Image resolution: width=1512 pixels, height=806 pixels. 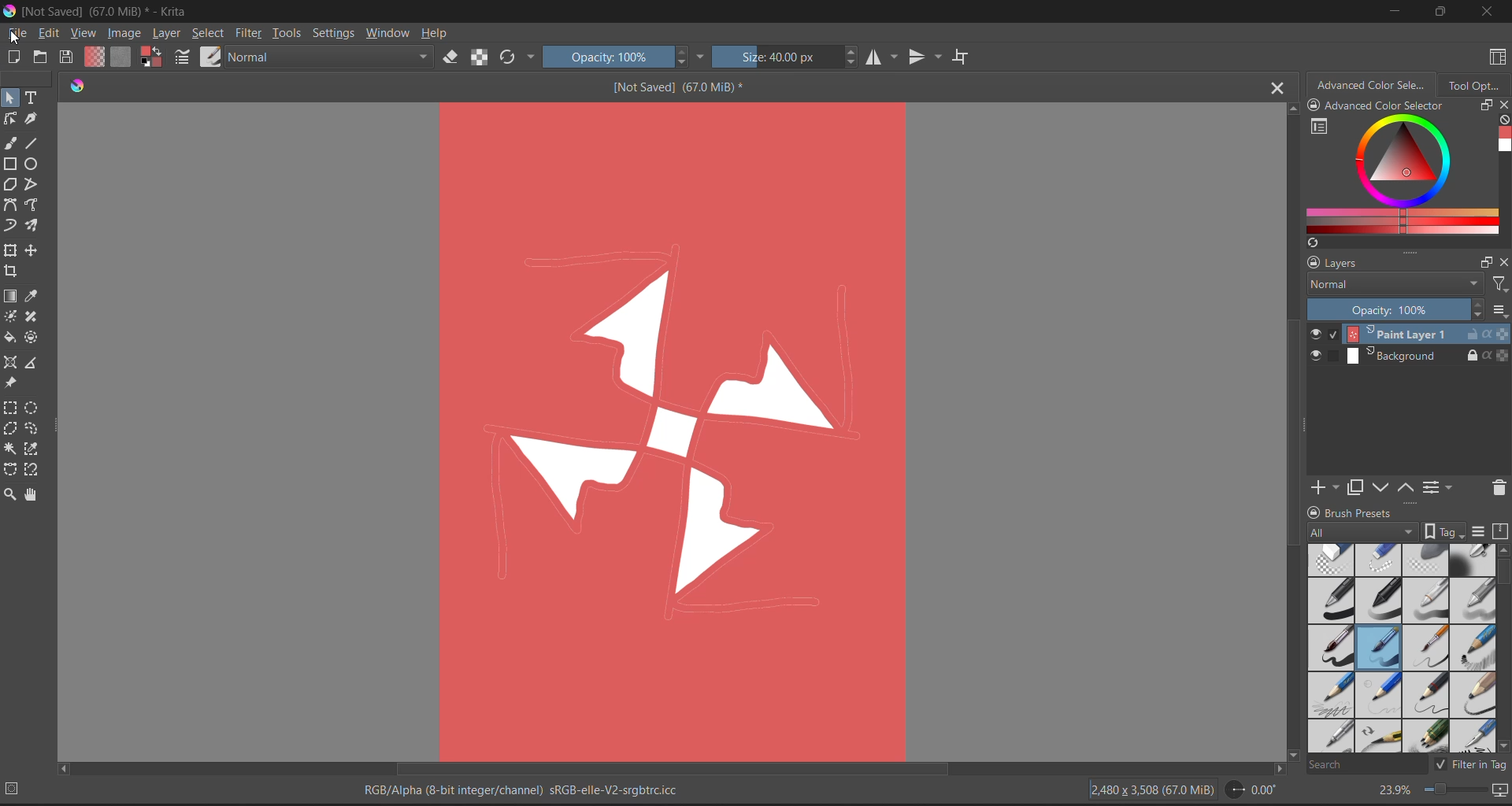 What do you see at coordinates (42, 58) in the screenshot?
I see `open` at bounding box center [42, 58].